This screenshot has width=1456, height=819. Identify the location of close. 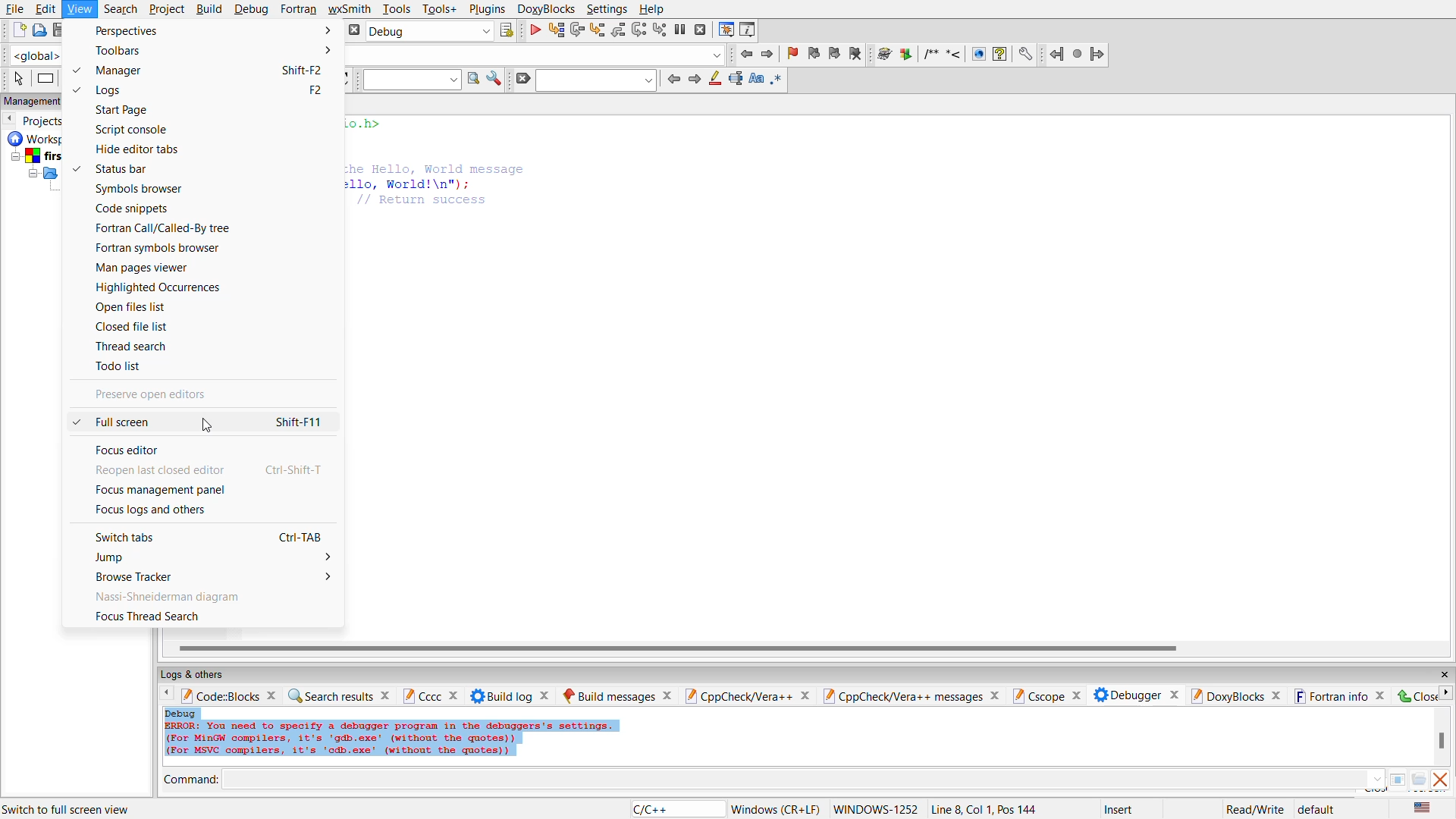
(1416, 695).